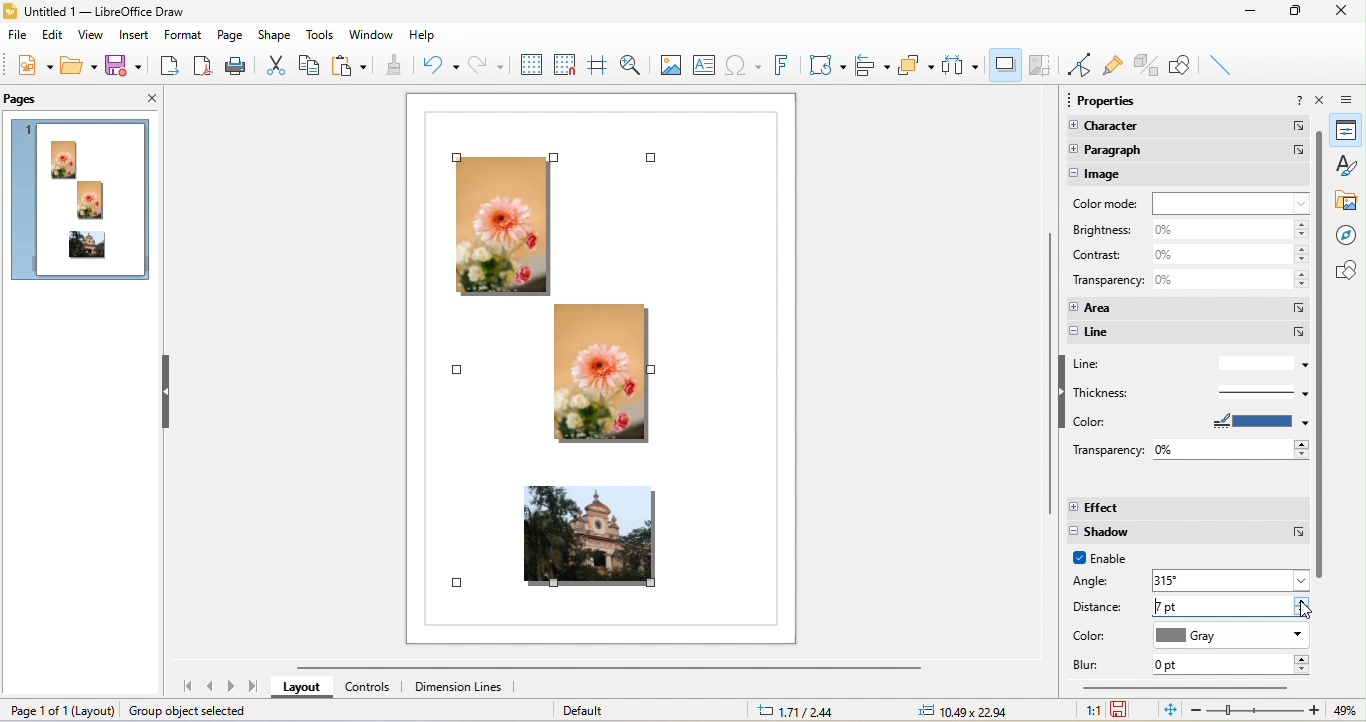 The width and height of the screenshot is (1366, 722). Describe the element at coordinates (1149, 63) in the screenshot. I see `toggle extrusion` at that location.